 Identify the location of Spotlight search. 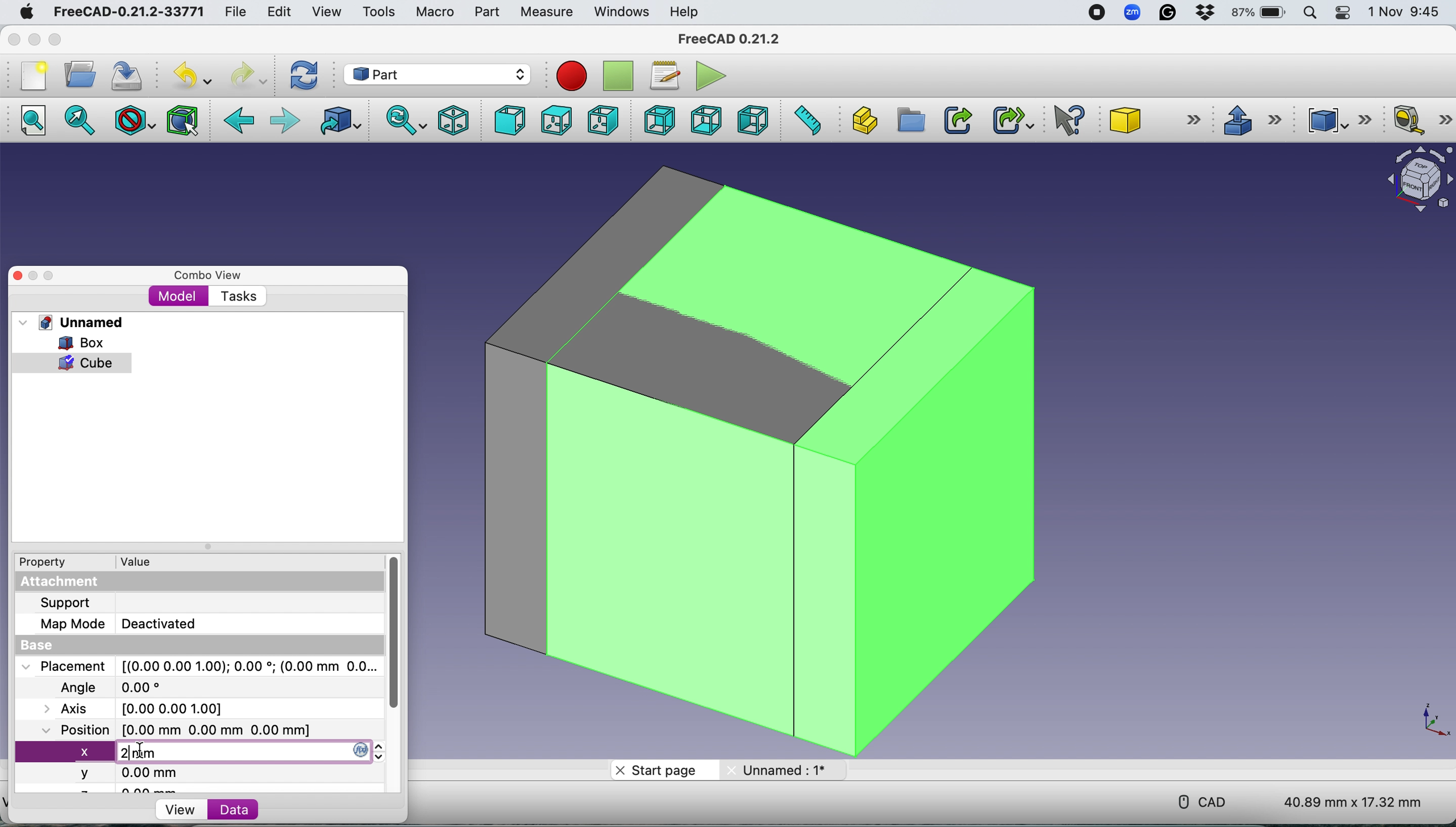
(1313, 12).